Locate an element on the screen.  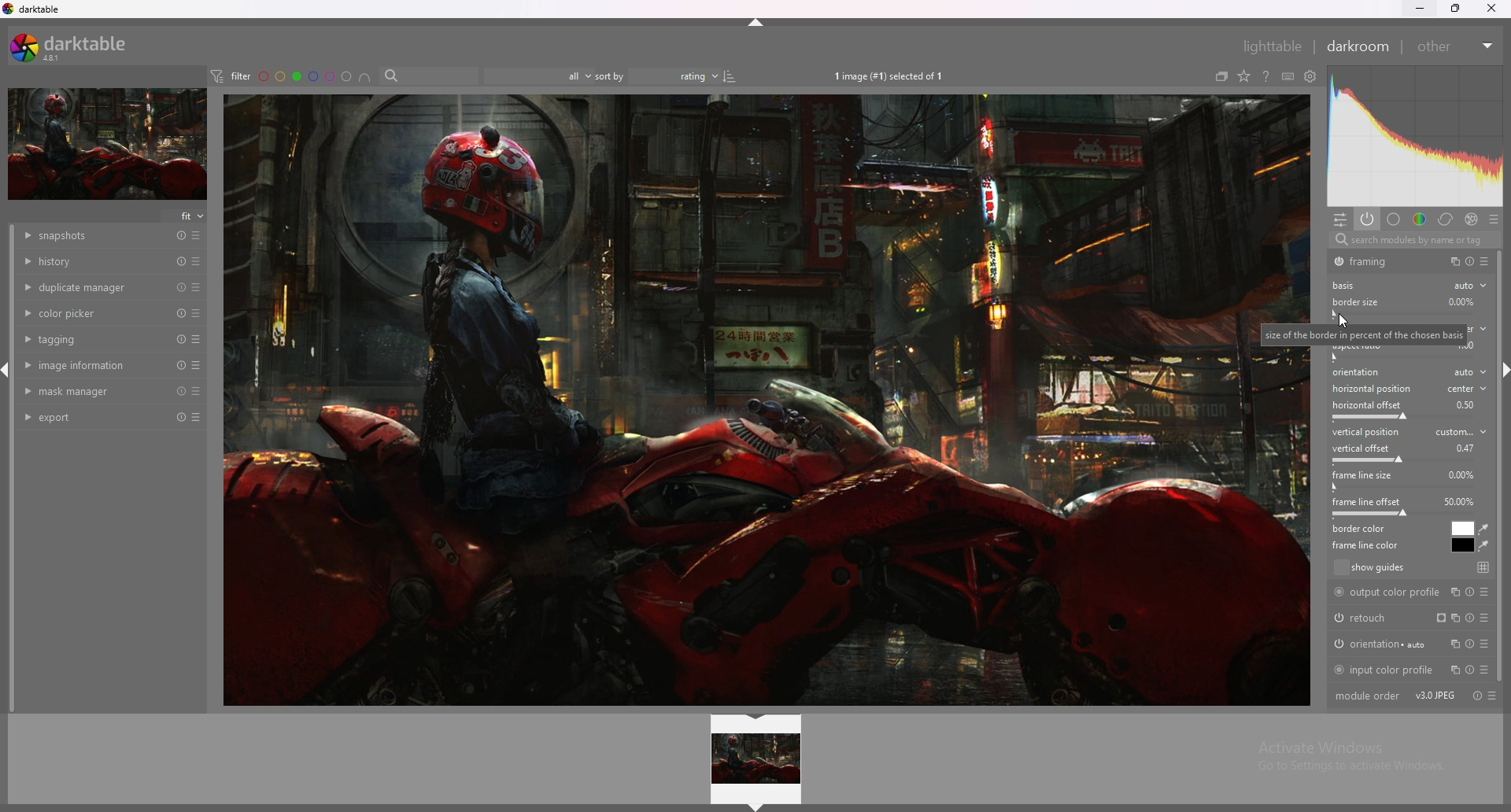
border color is located at coordinates (1365, 529).